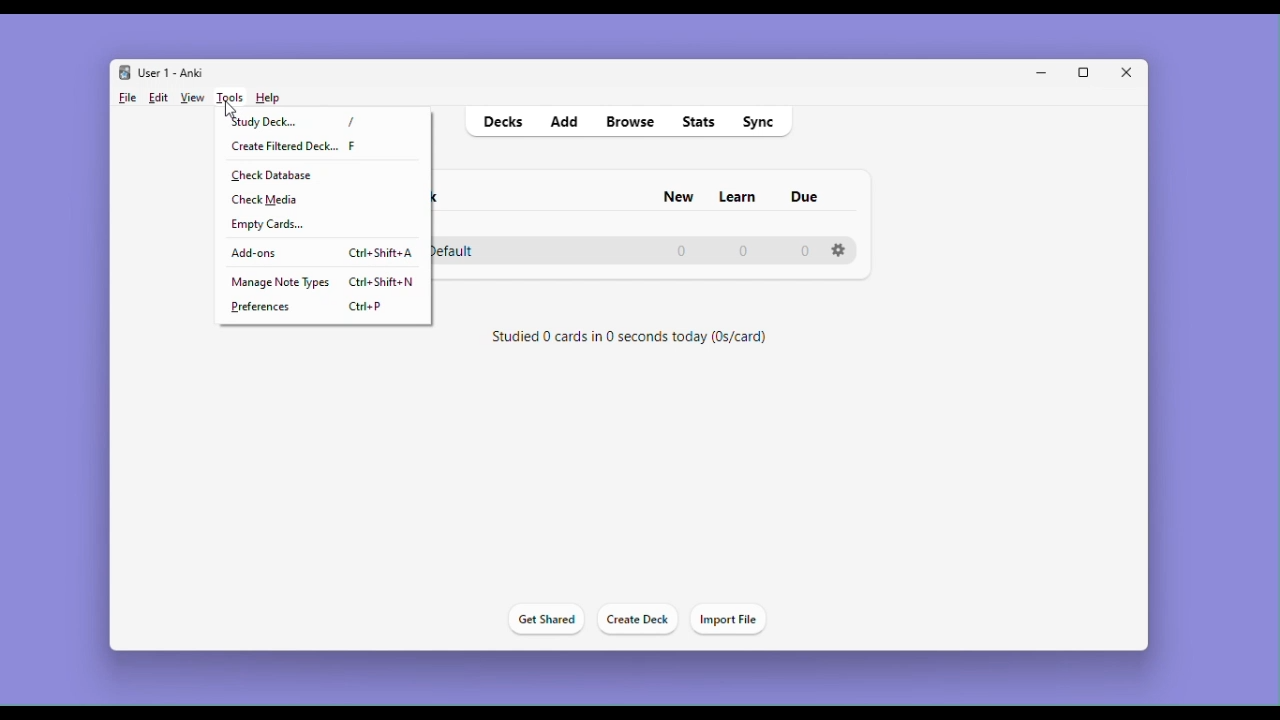  What do you see at coordinates (266, 308) in the screenshot?
I see `Preferences` at bounding box center [266, 308].